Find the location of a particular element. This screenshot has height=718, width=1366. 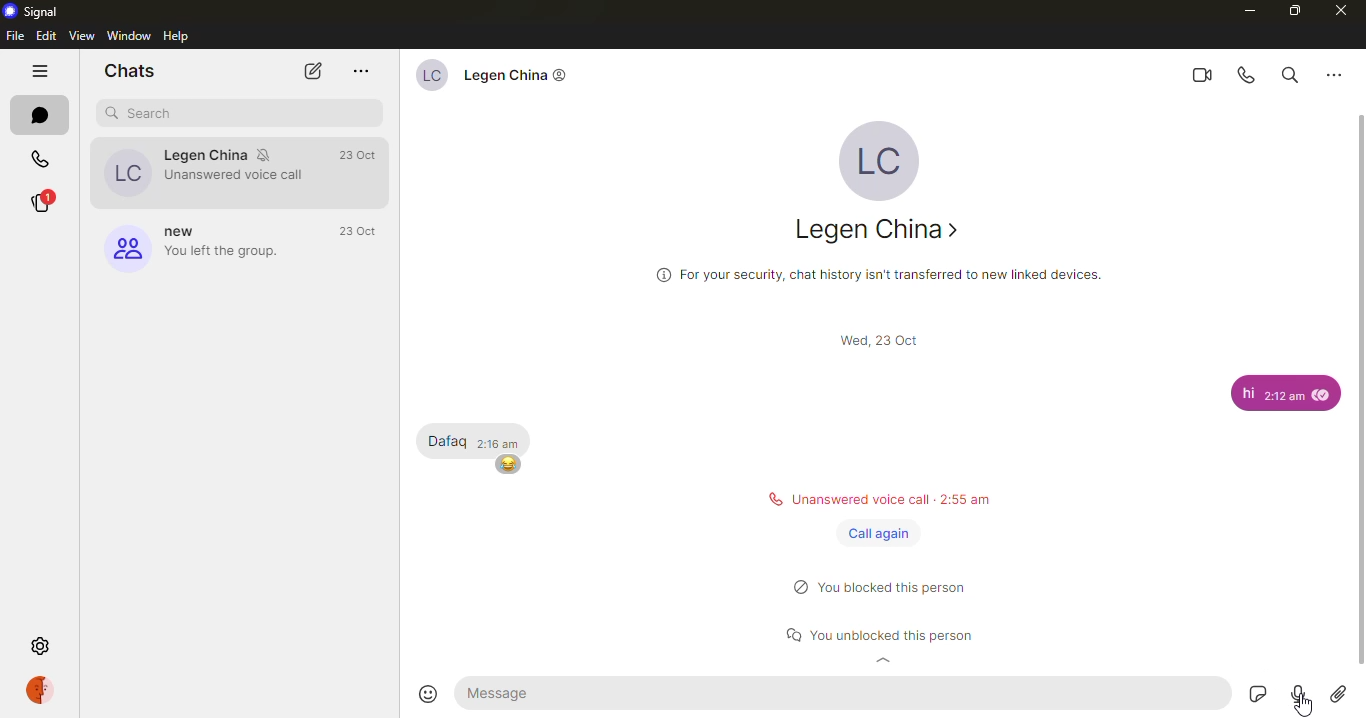

profile pic is located at coordinates (883, 160).